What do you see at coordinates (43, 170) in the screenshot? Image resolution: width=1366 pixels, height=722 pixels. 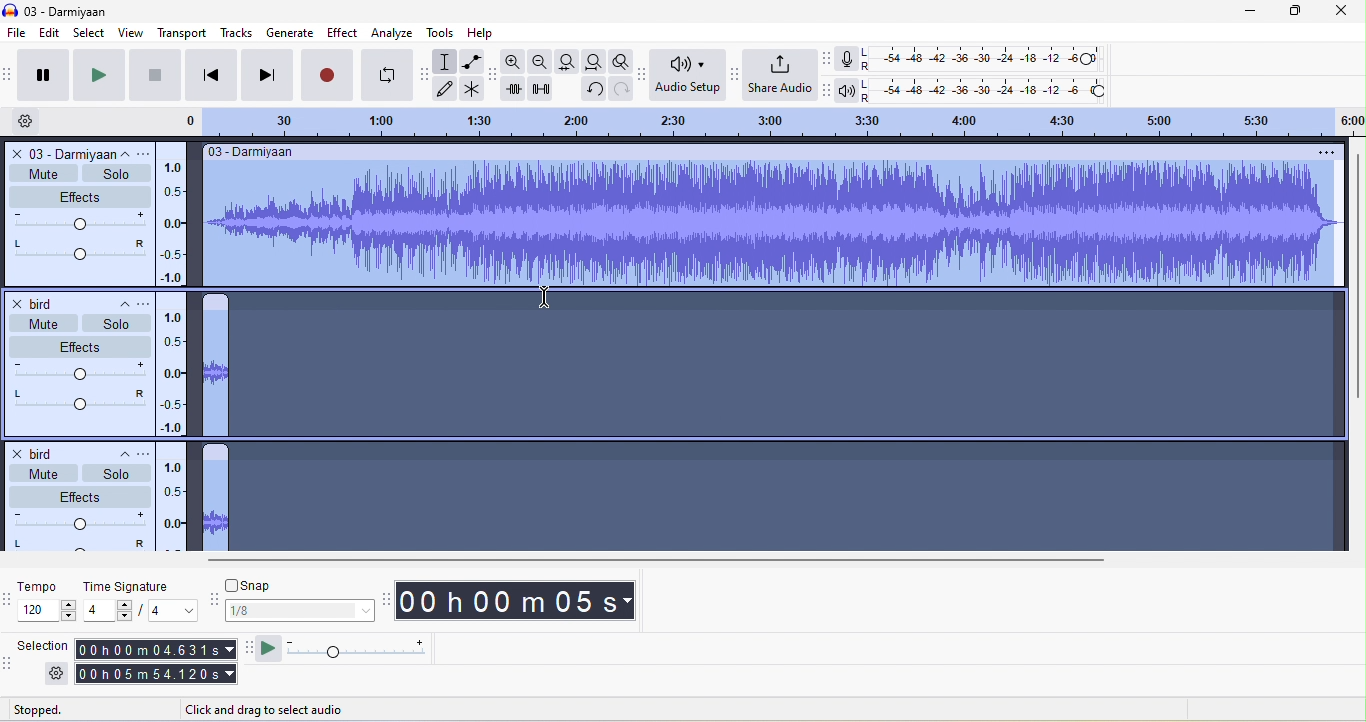 I see `mute` at bounding box center [43, 170].